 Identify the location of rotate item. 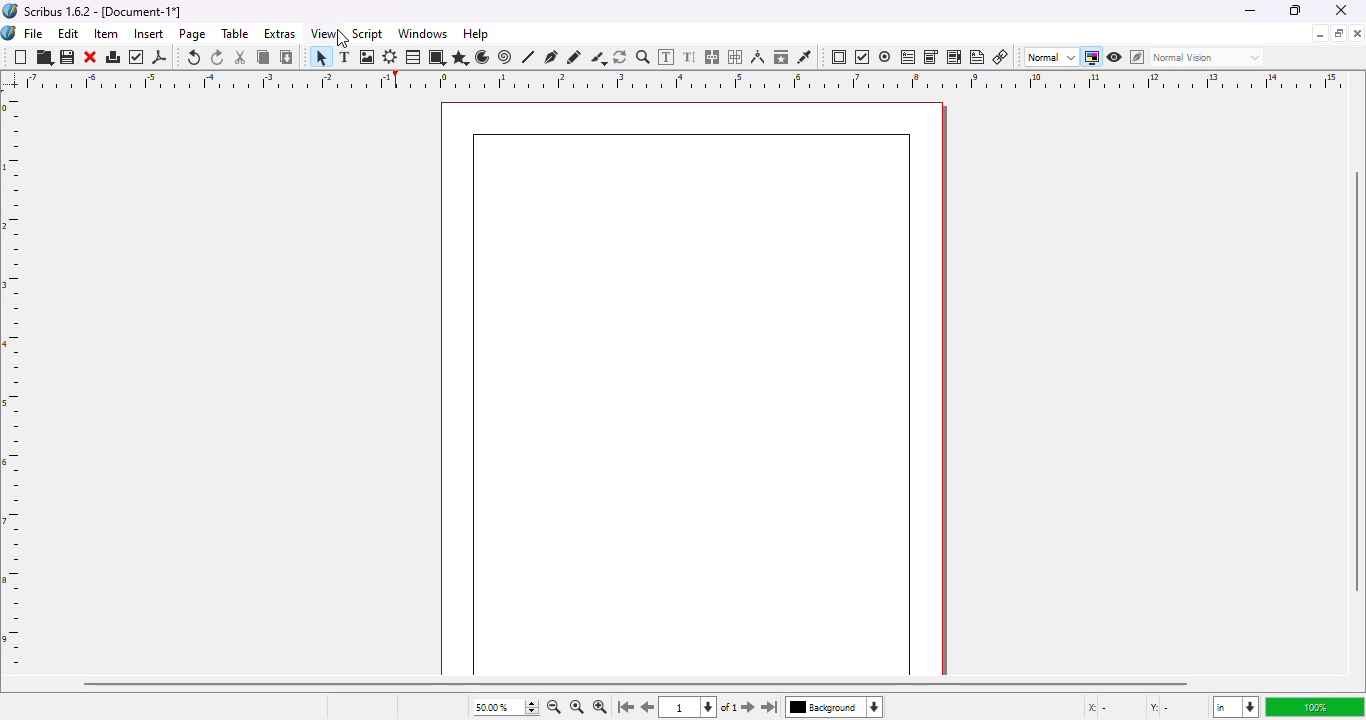
(621, 57).